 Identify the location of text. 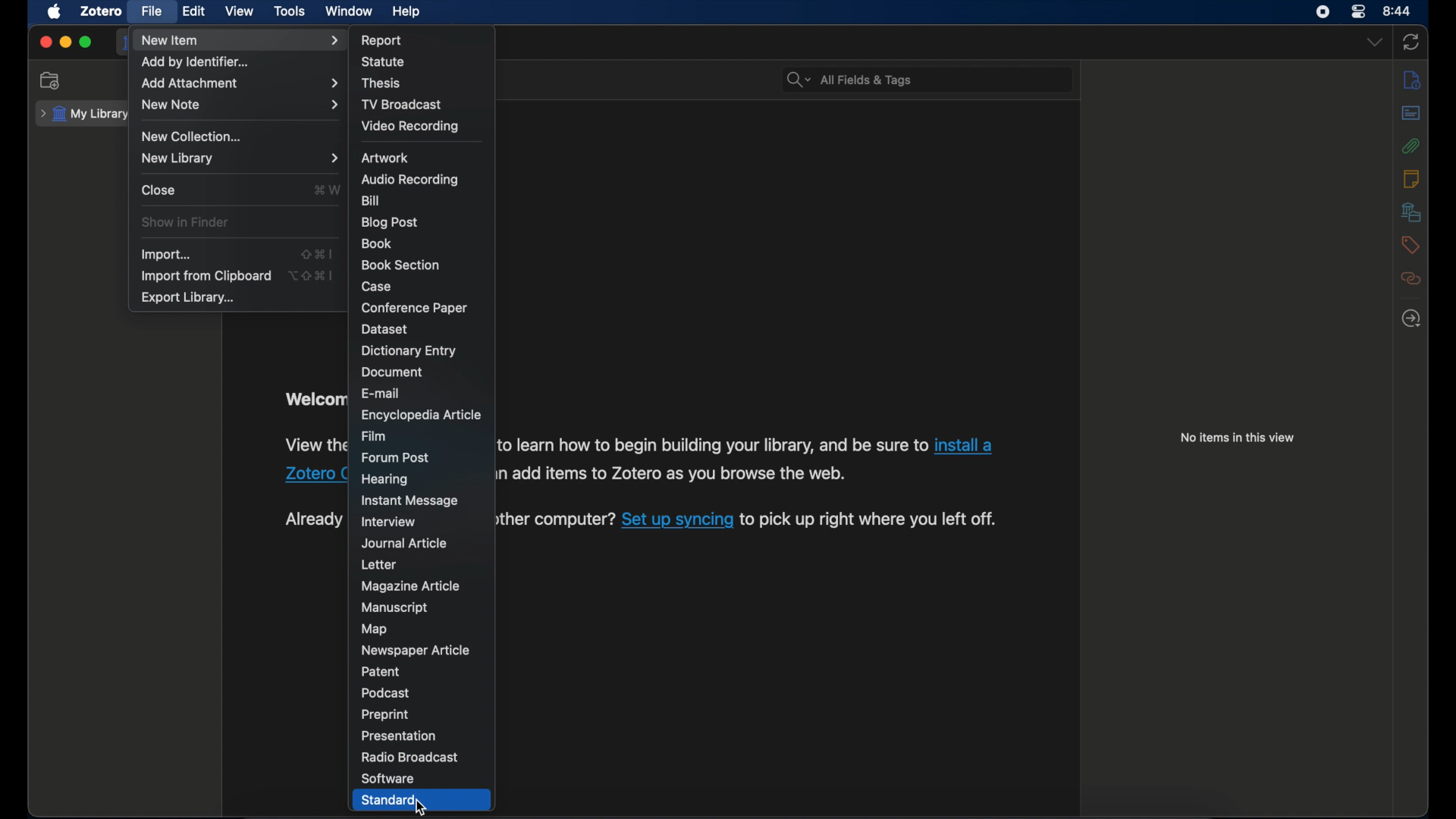
(314, 519).